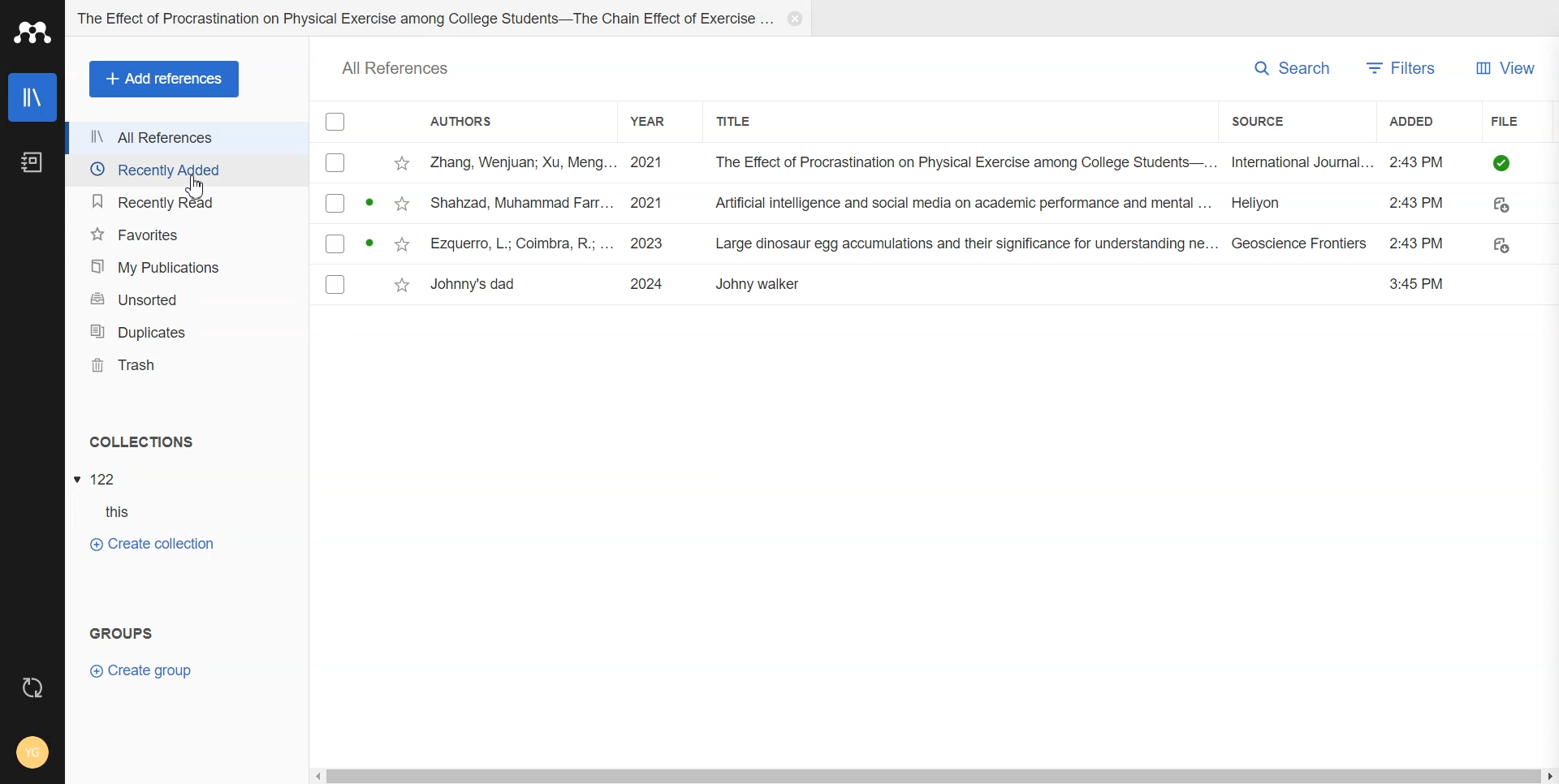  I want to click on Library, so click(32, 97).